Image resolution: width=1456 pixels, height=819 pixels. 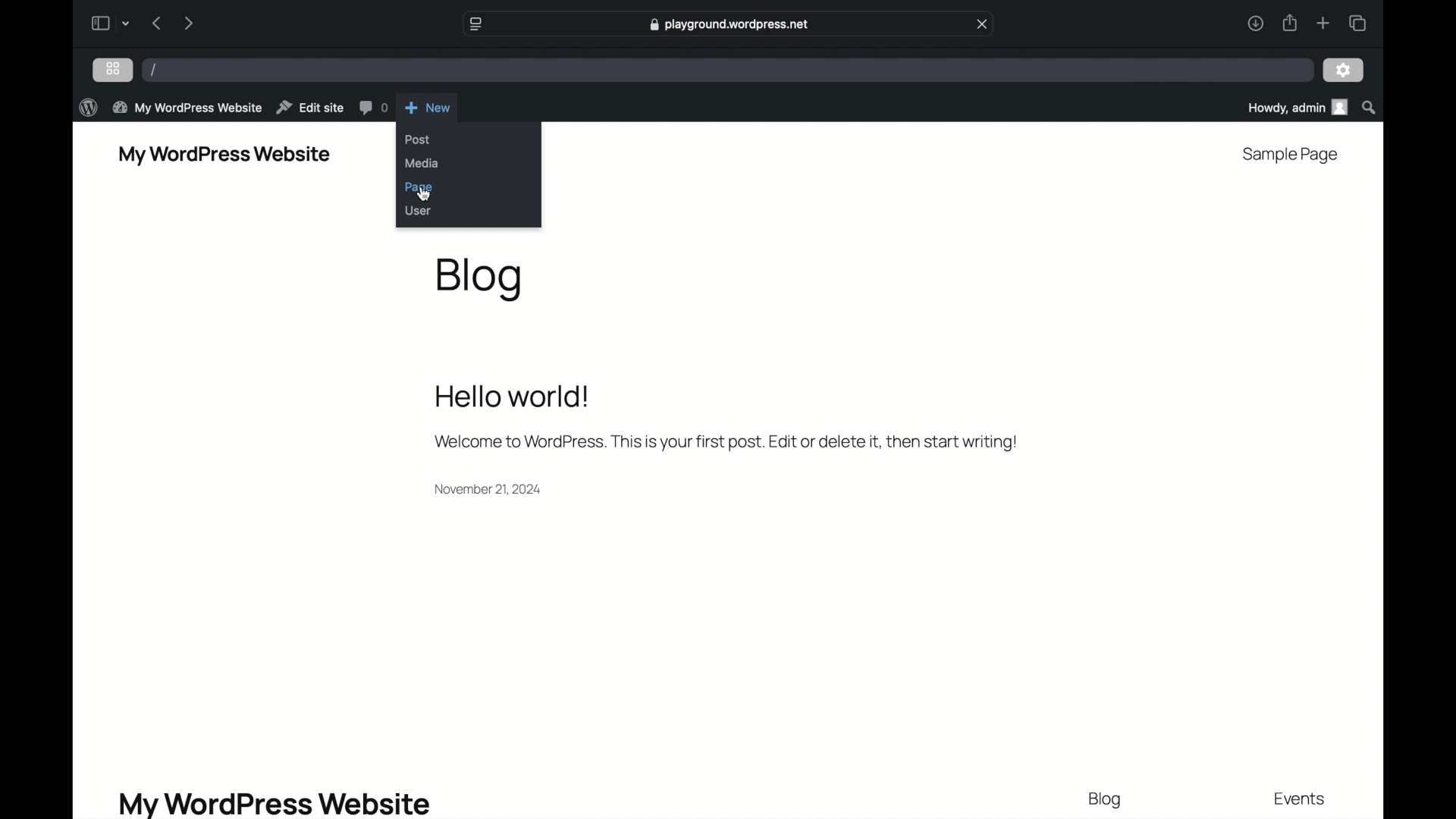 What do you see at coordinates (87, 107) in the screenshot?
I see `wordpress` at bounding box center [87, 107].